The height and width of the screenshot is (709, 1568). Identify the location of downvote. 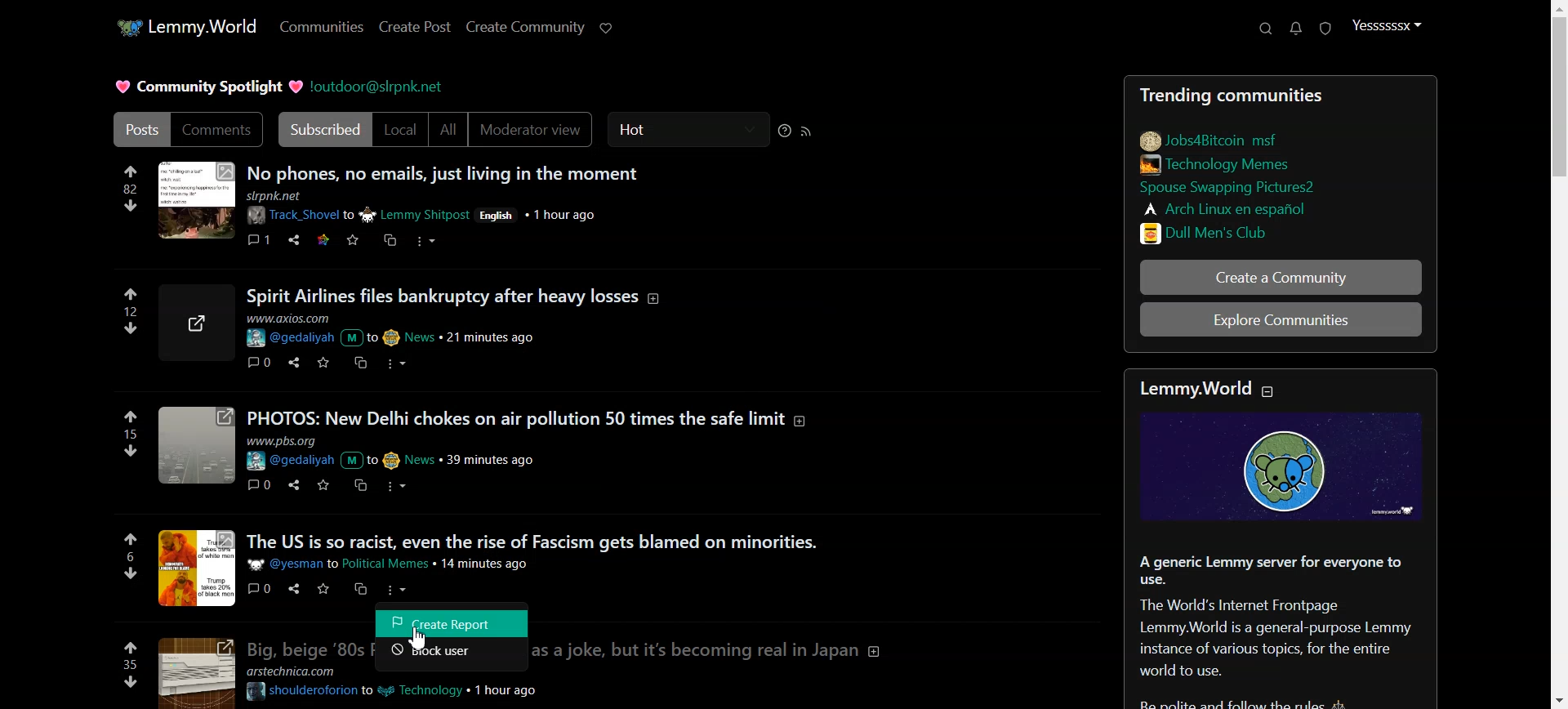
(130, 682).